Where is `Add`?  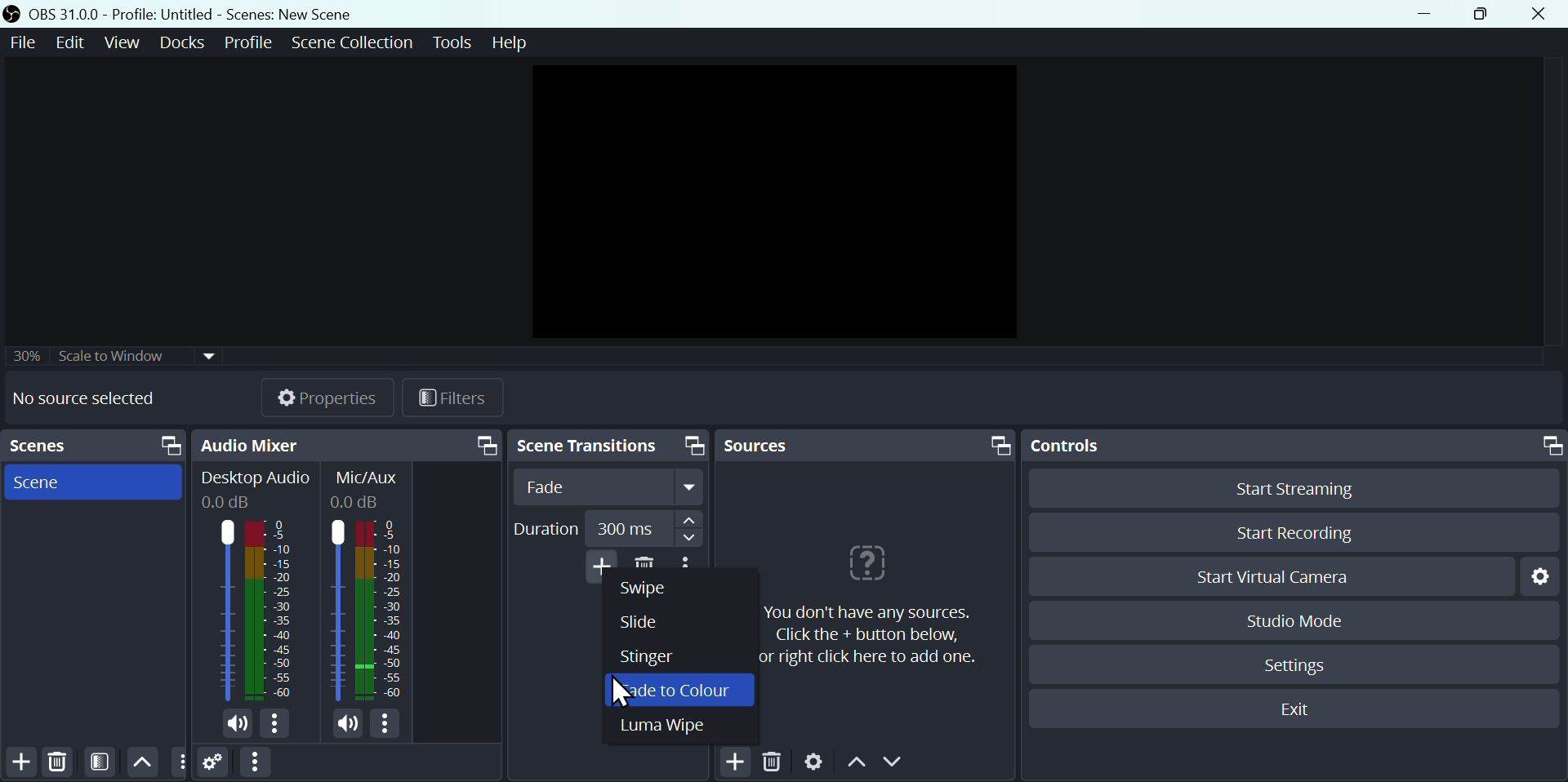
Add is located at coordinates (21, 762).